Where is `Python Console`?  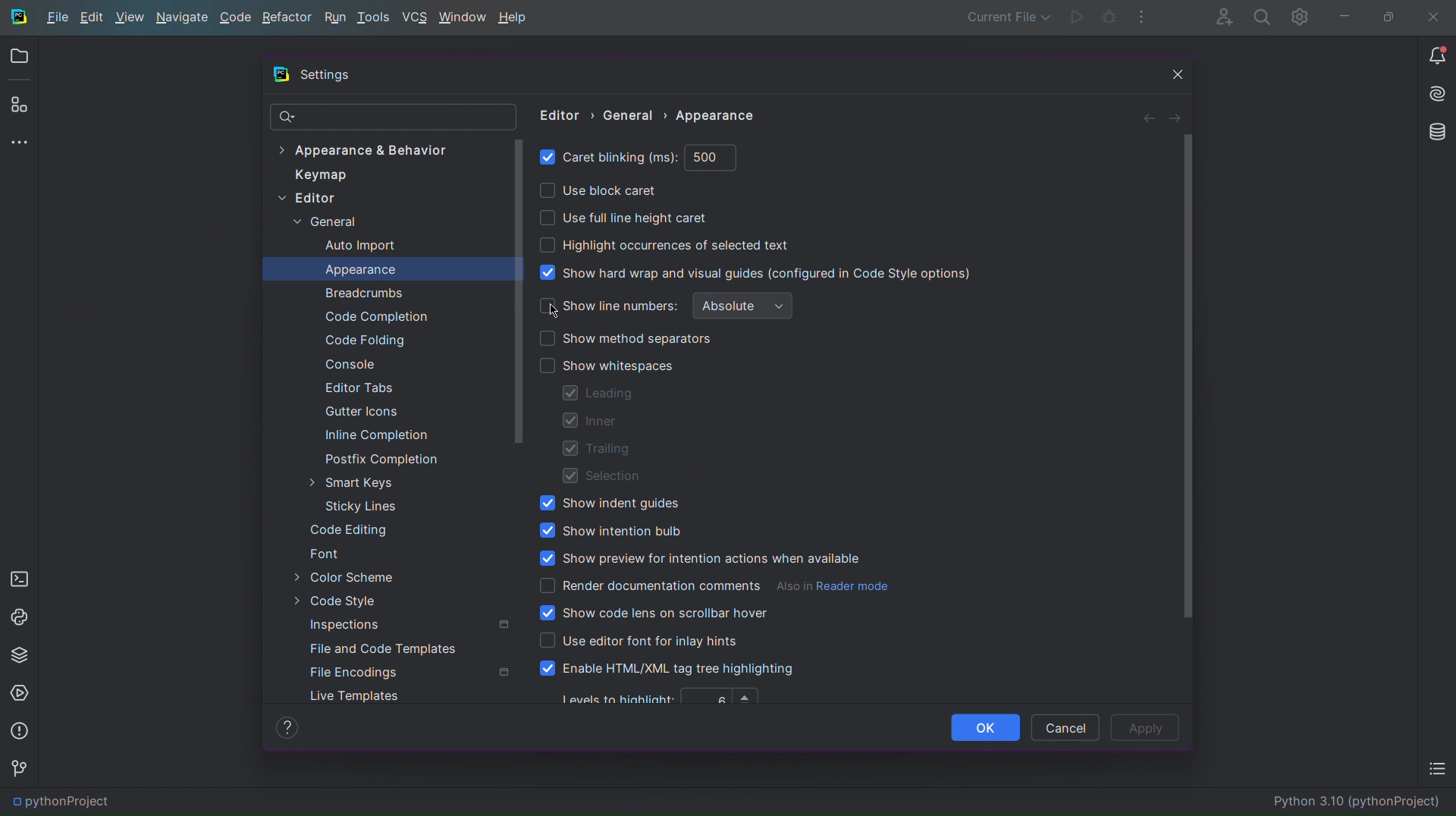
Python Console is located at coordinates (20, 615).